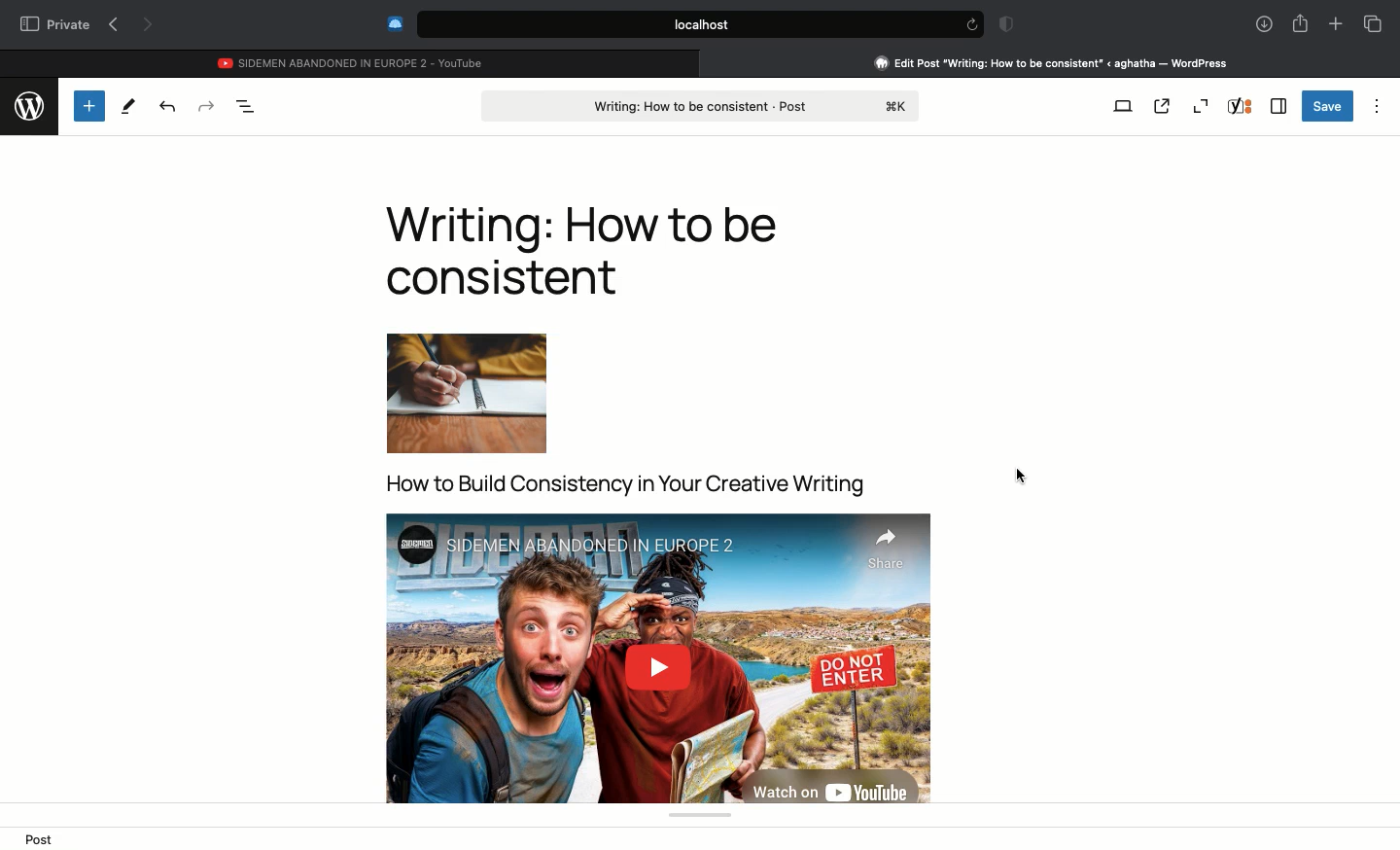 The image size is (1400, 850). Describe the element at coordinates (472, 392) in the screenshot. I see `image` at that location.